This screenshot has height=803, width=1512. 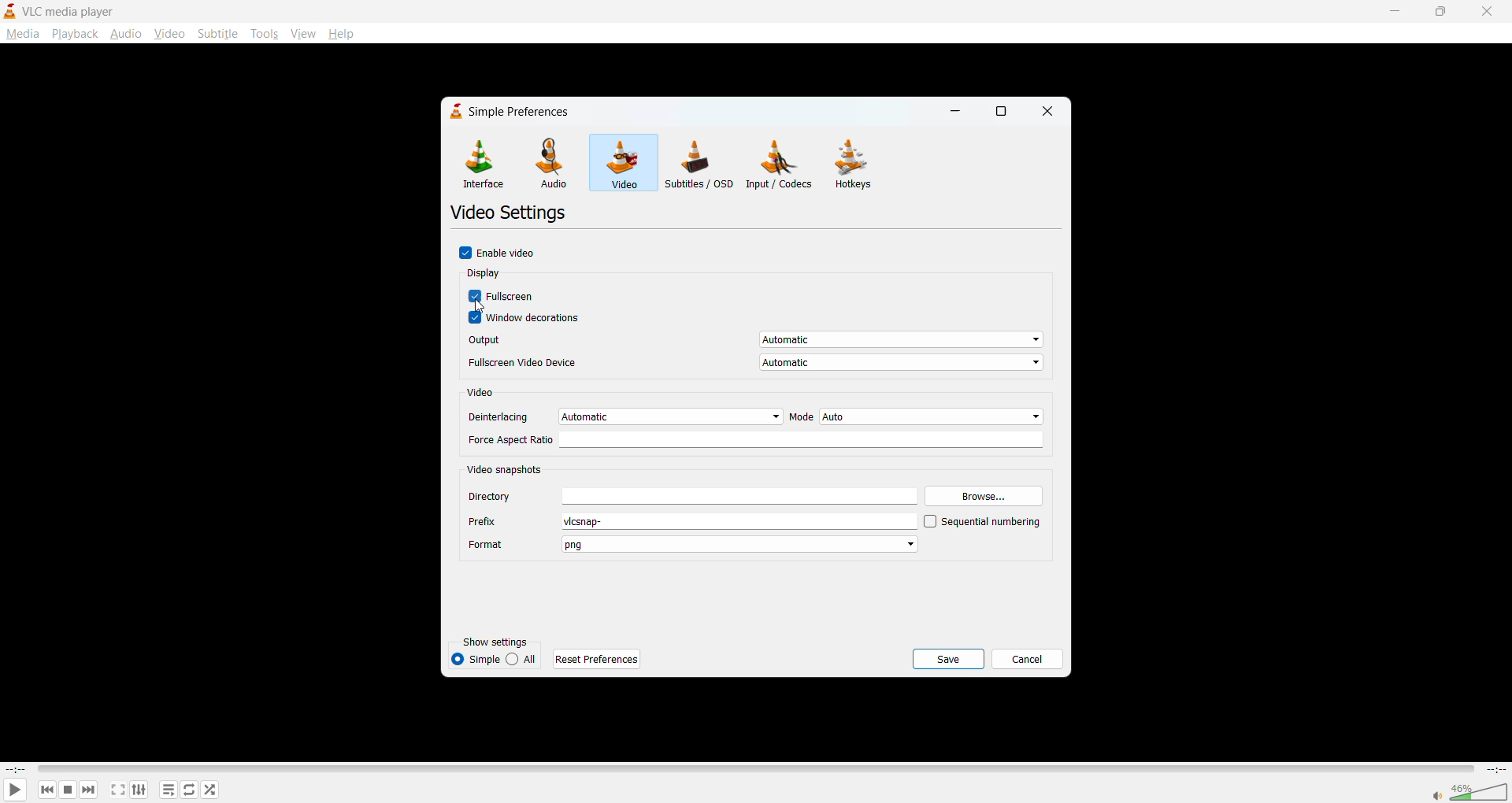 What do you see at coordinates (264, 35) in the screenshot?
I see `tools` at bounding box center [264, 35].